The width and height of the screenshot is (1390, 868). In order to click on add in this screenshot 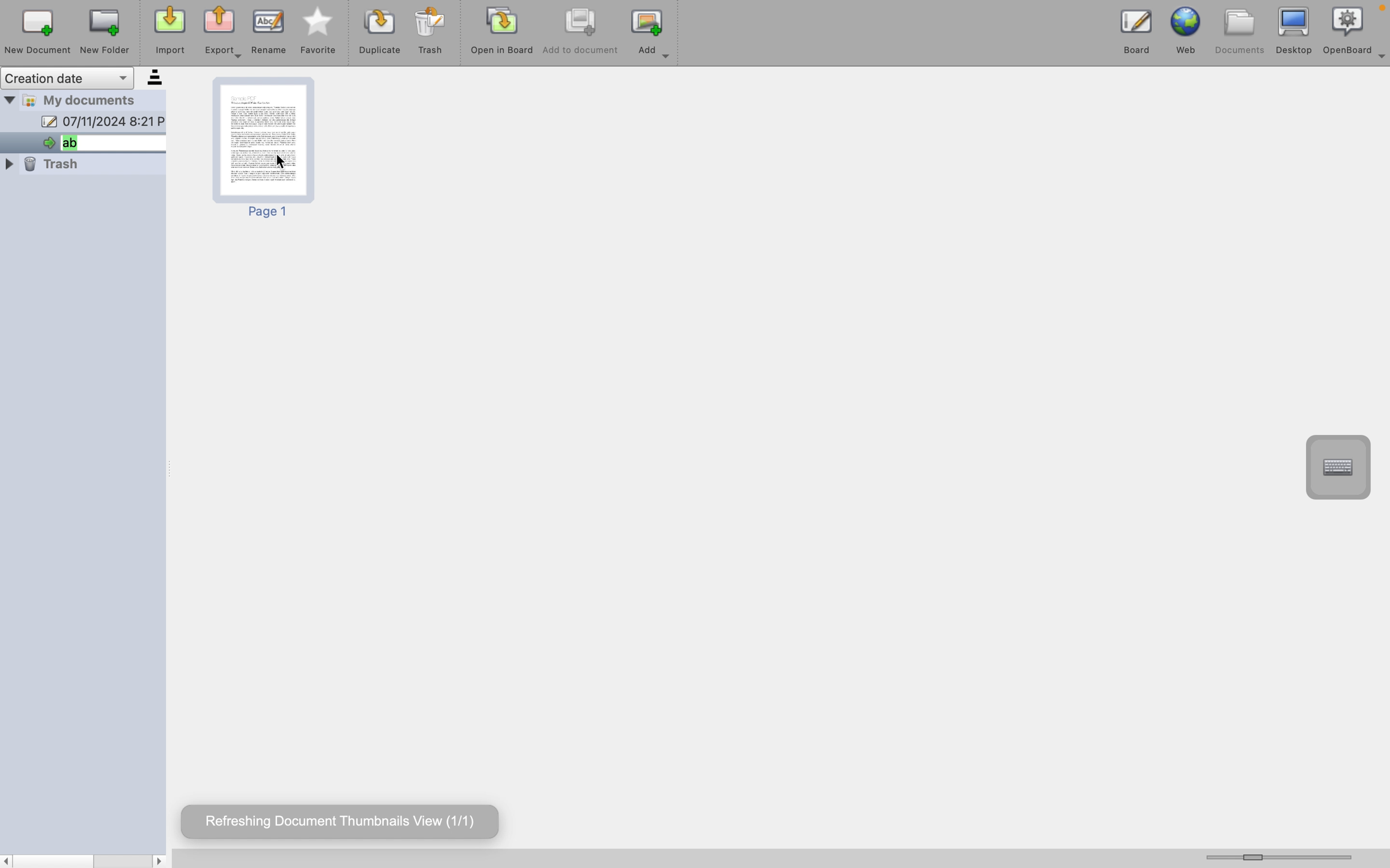, I will do `click(648, 36)`.